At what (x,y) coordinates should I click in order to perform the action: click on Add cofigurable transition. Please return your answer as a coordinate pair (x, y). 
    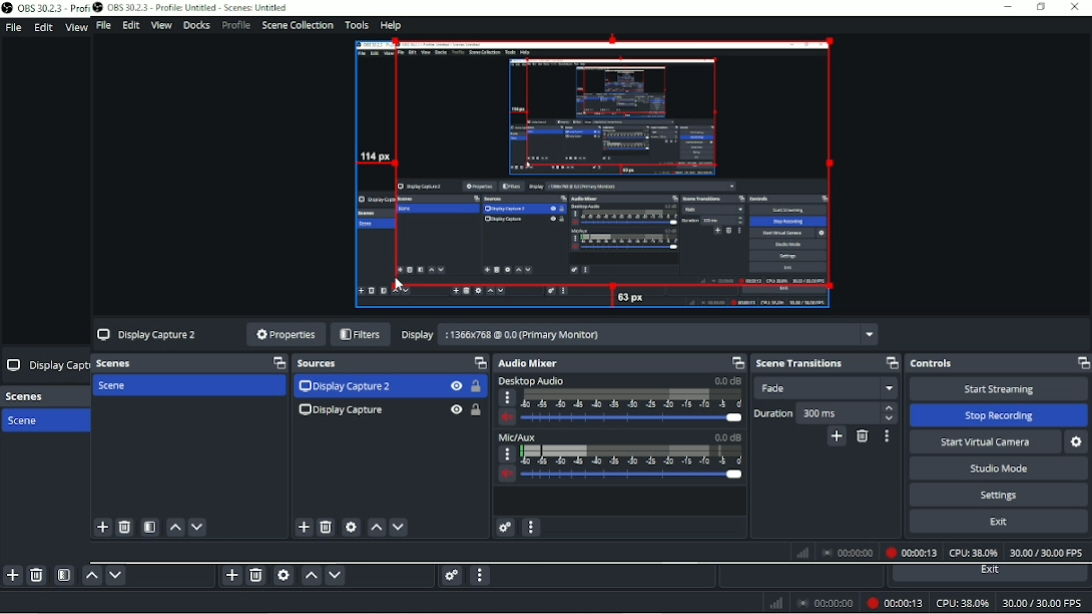
    Looking at the image, I should click on (832, 438).